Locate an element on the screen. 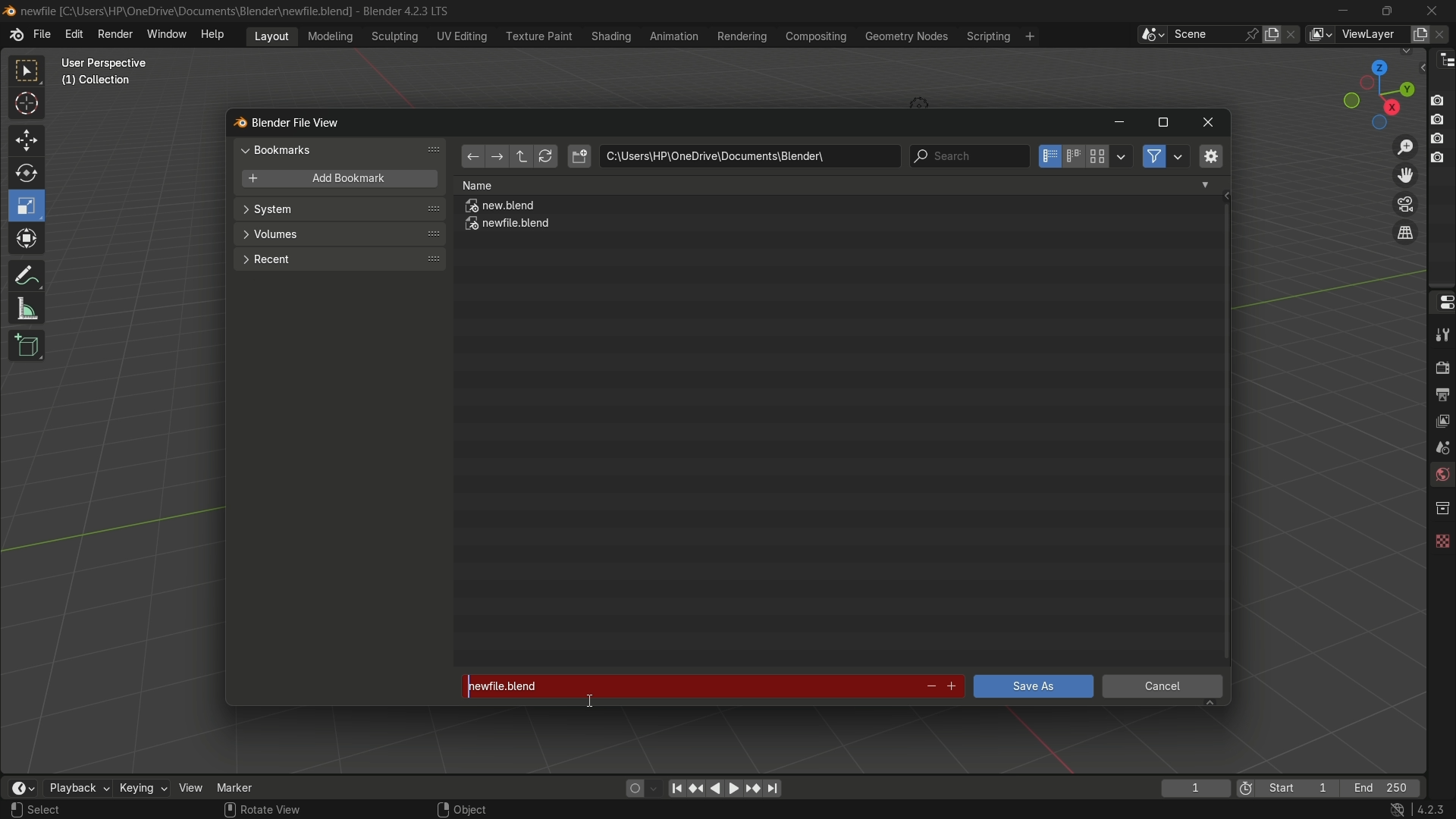 The width and height of the screenshot is (1456, 819). vertical list is located at coordinates (1048, 156).